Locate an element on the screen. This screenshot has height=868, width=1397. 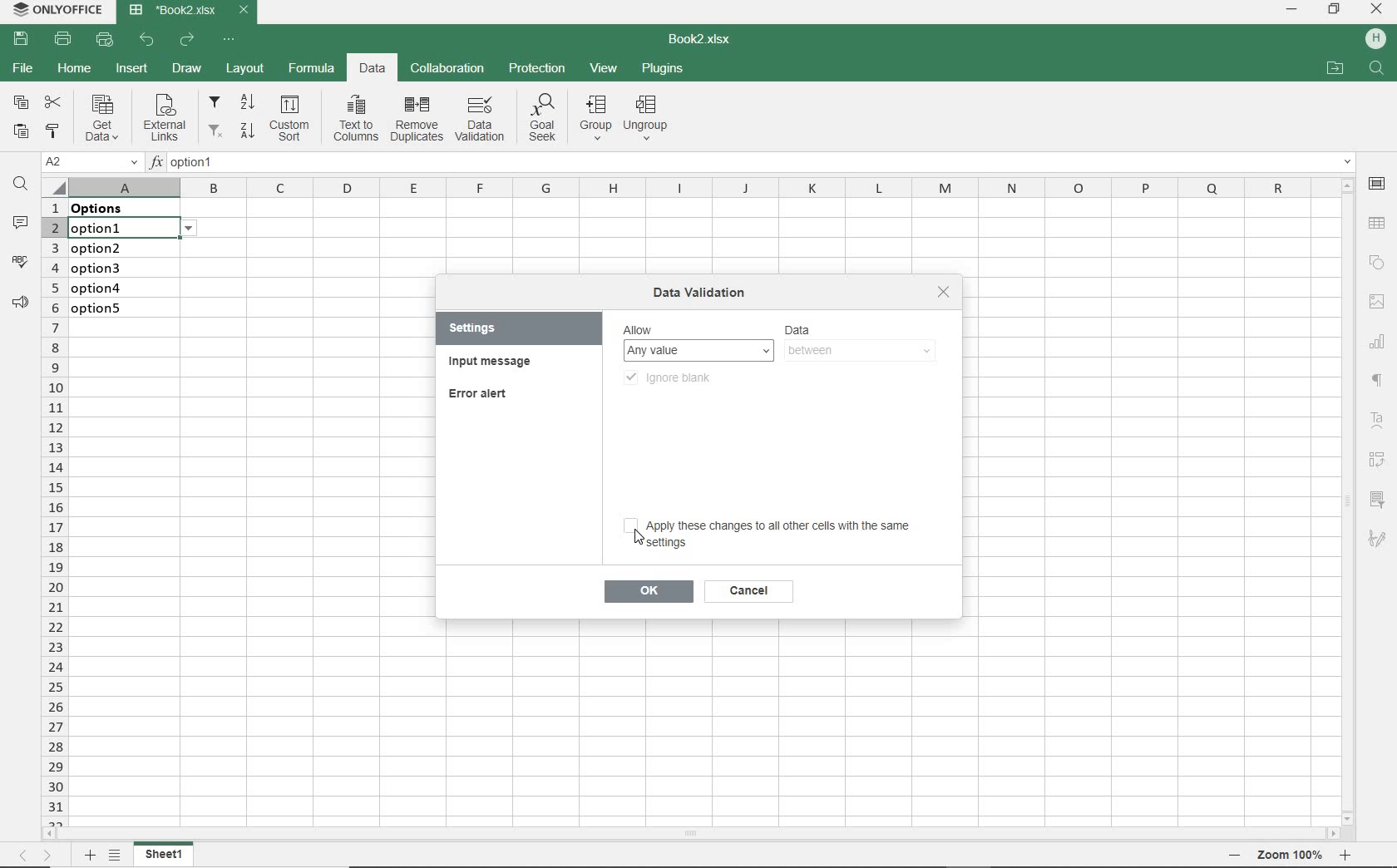
Text to columns is located at coordinates (356, 116).